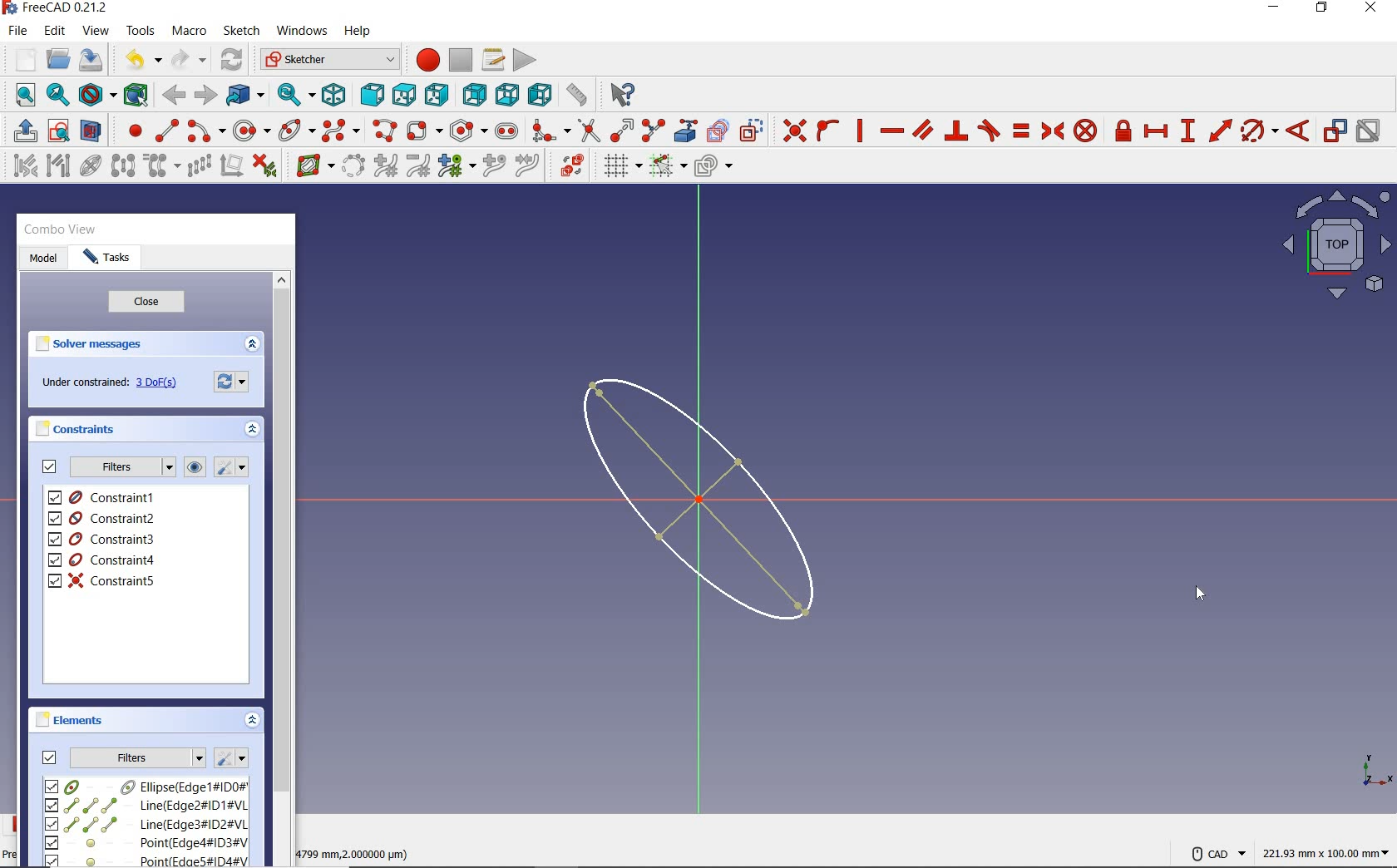  I want to click on view sketch, so click(60, 129).